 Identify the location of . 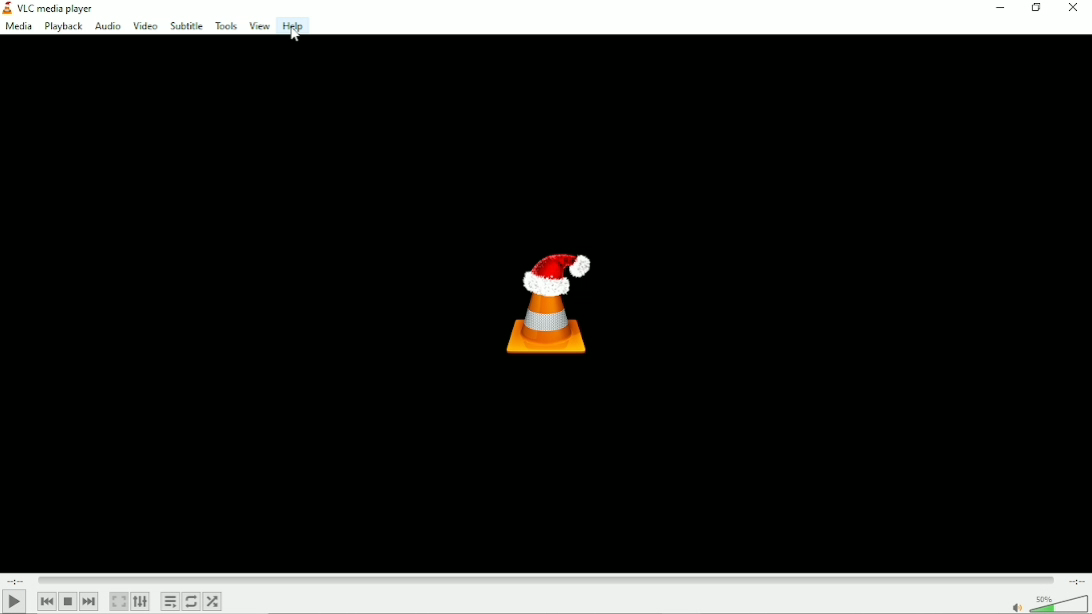
(8, 9).